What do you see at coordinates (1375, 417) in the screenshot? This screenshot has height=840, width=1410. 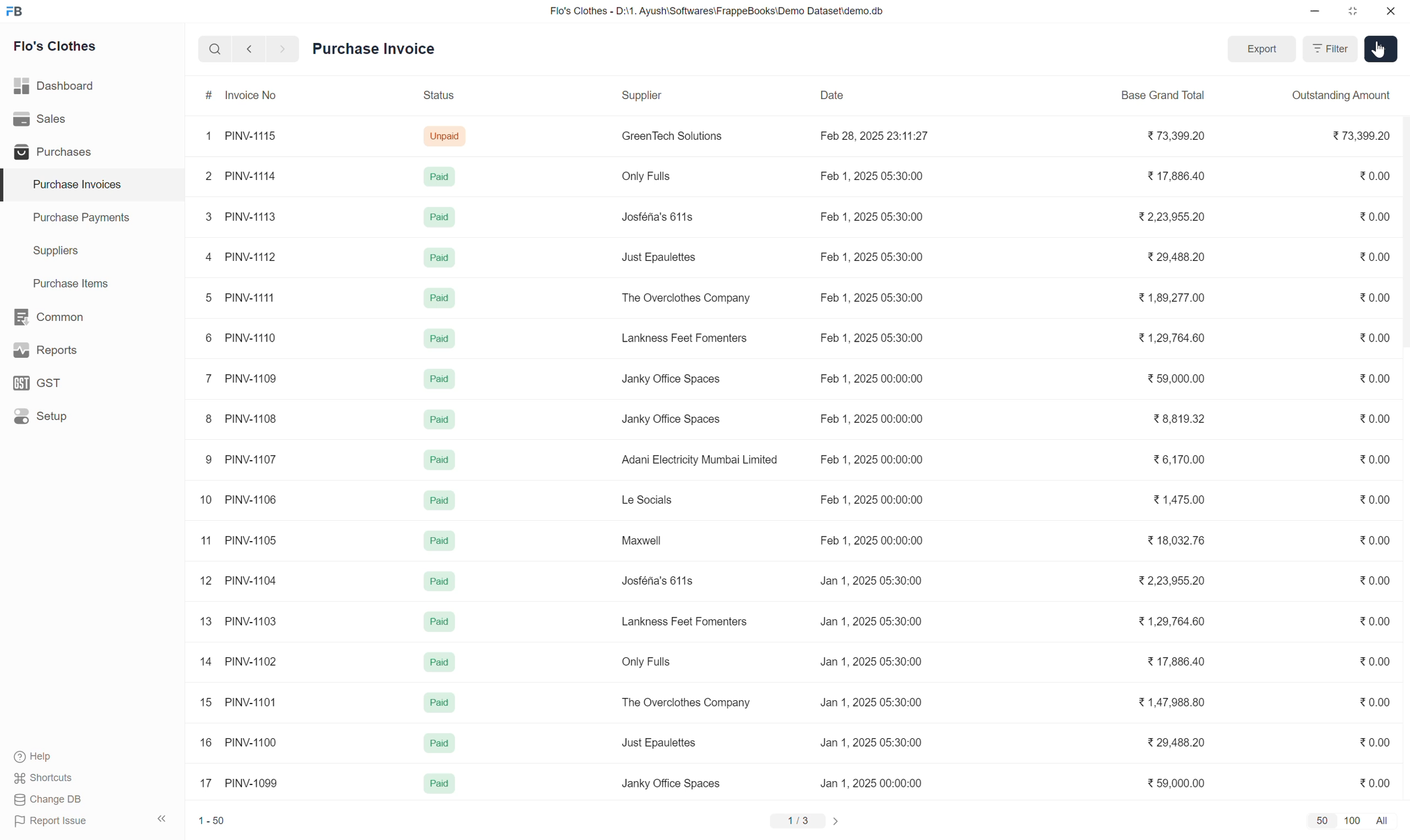 I see `0.00` at bounding box center [1375, 417].